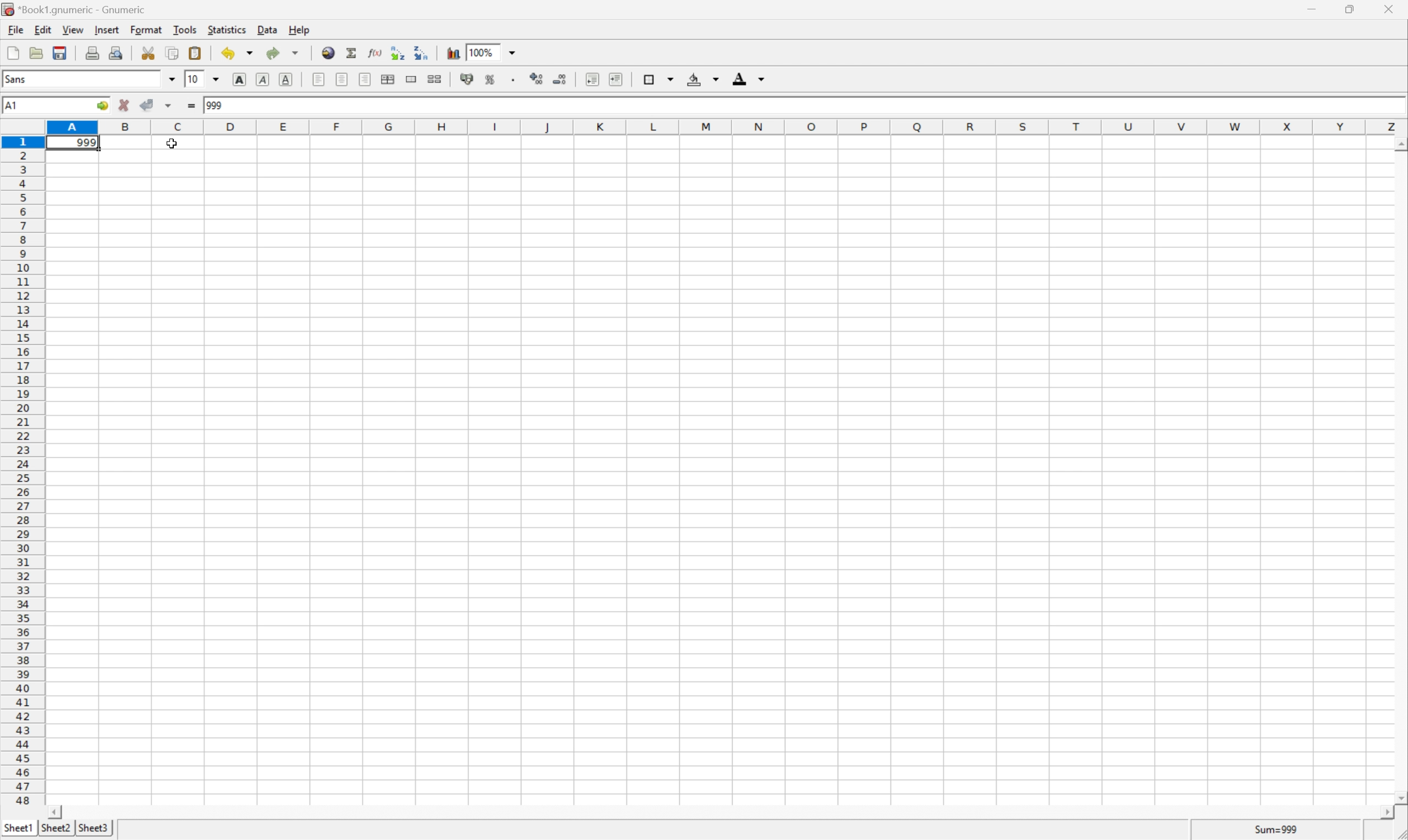  What do you see at coordinates (615, 79) in the screenshot?
I see `increase indent` at bounding box center [615, 79].